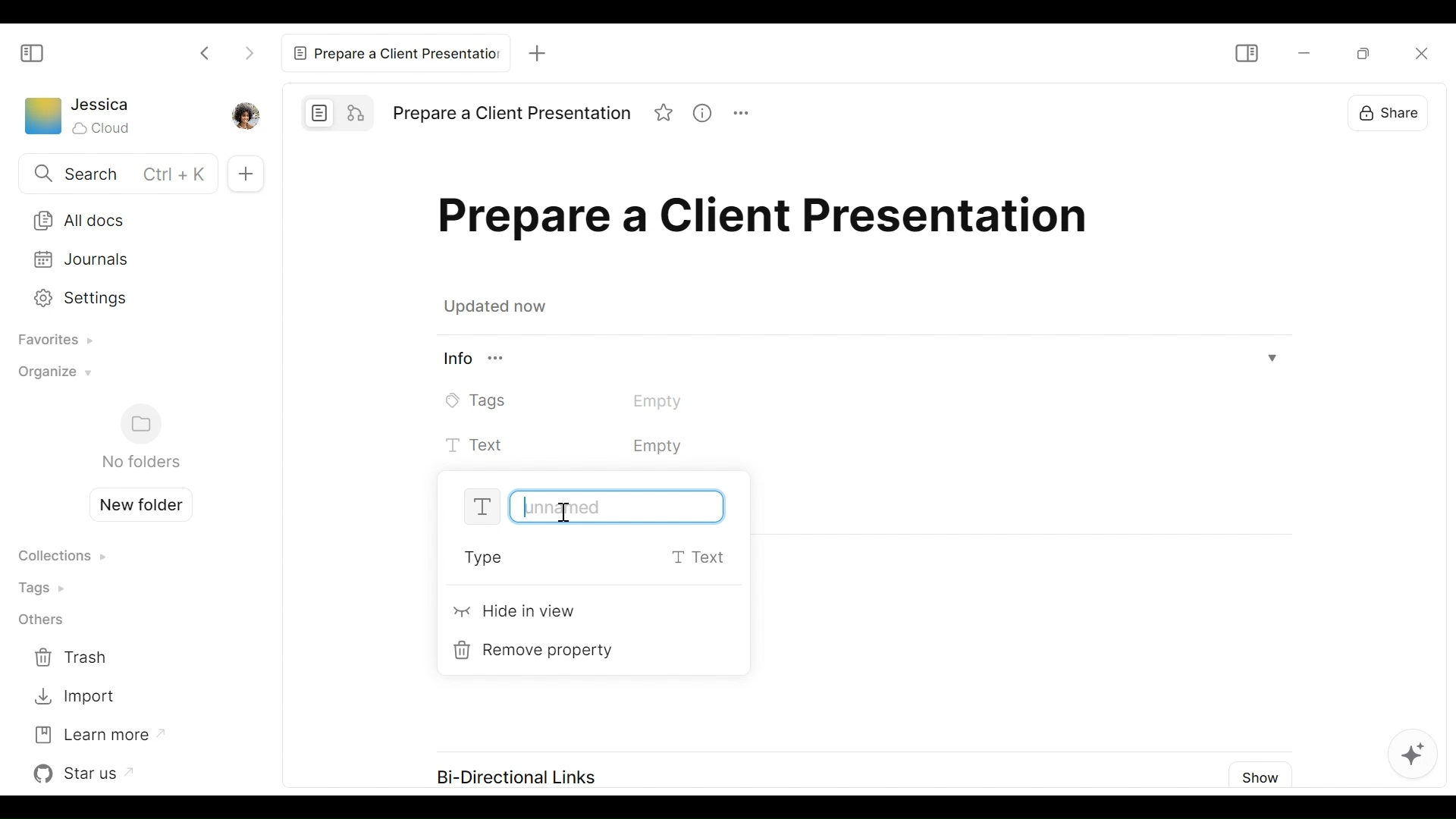 This screenshot has height=819, width=1456. What do you see at coordinates (249, 50) in the screenshot?
I see `Click to go Forward` at bounding box center [249, 50].